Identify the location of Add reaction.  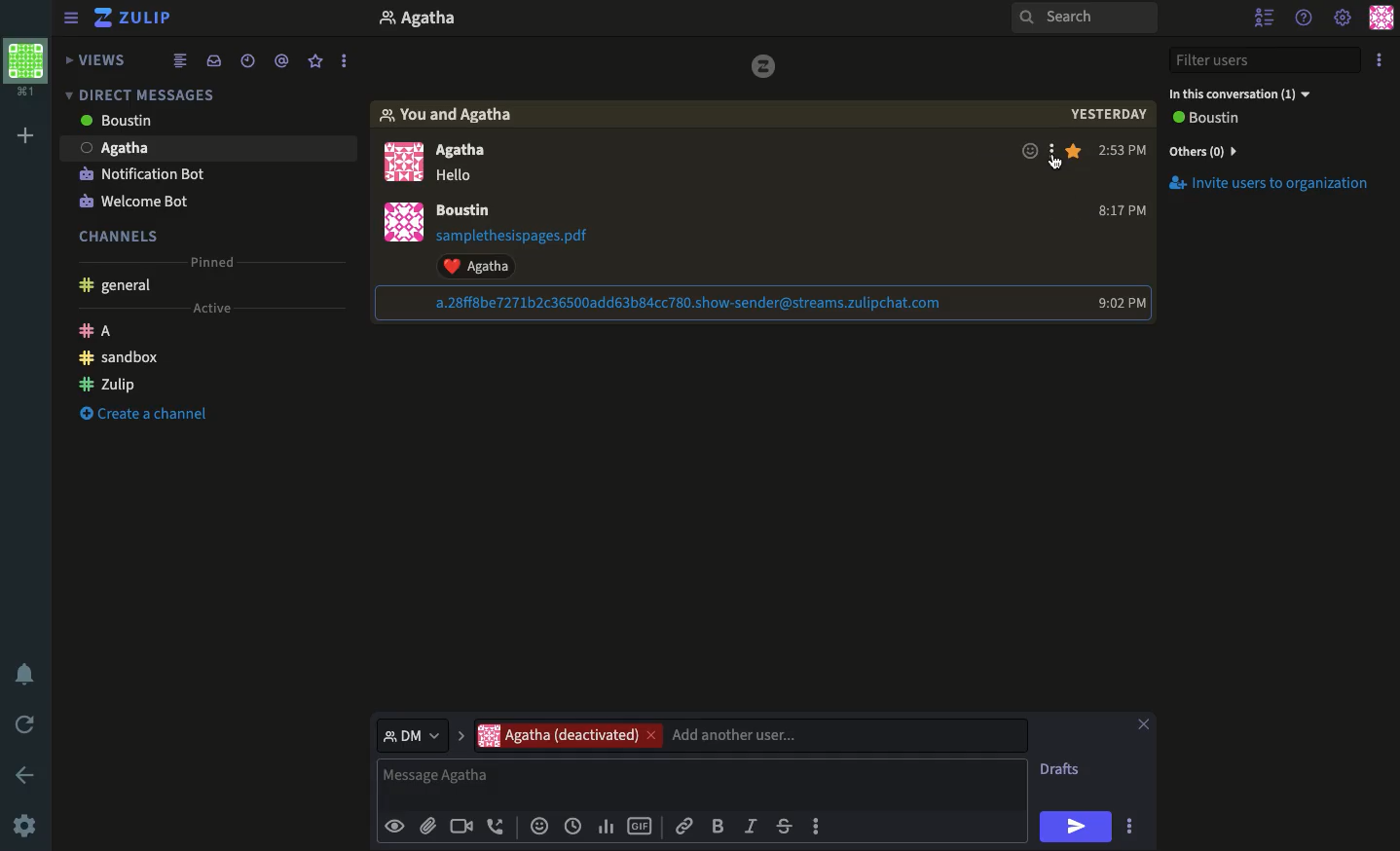
(1030, 153).